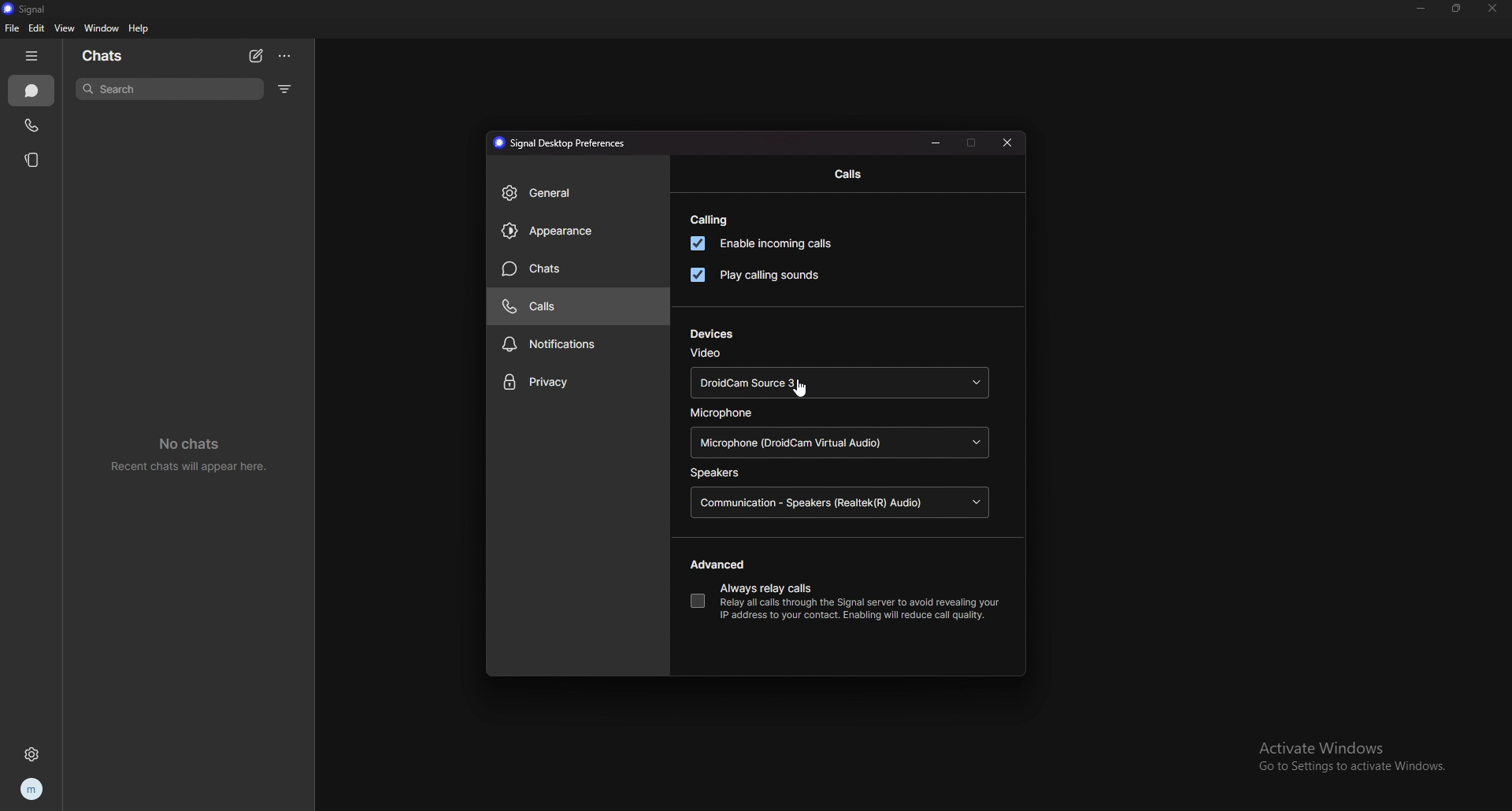 This screenshot has width=1512, height=811. I want to click on options, so click(286, 57).